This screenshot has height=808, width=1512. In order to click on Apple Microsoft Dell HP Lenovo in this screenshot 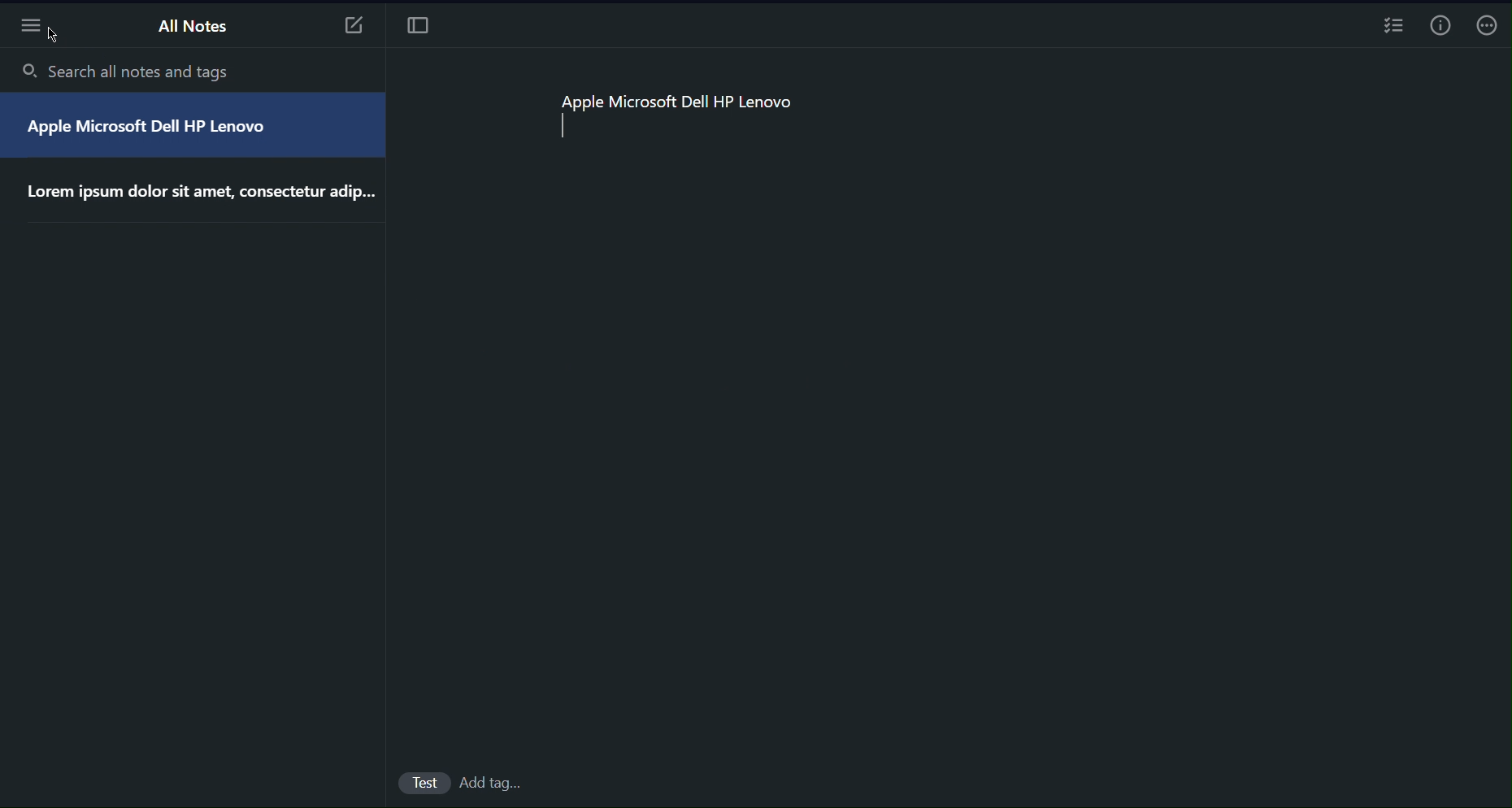, I will do `click(678, 98)`.